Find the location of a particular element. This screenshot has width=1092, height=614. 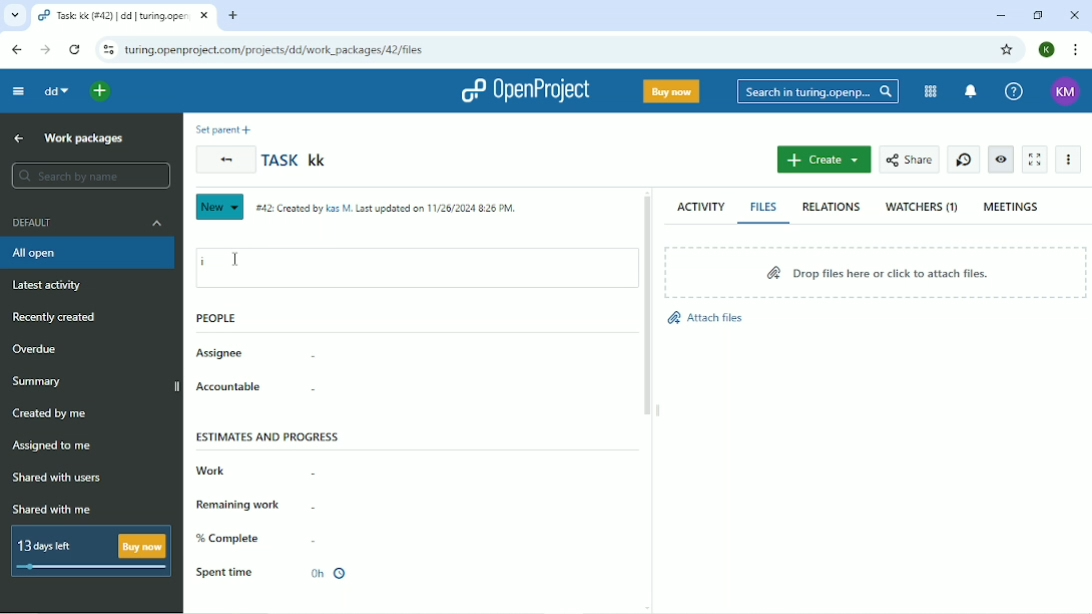

Buy now is located at coordinates (671, 90).